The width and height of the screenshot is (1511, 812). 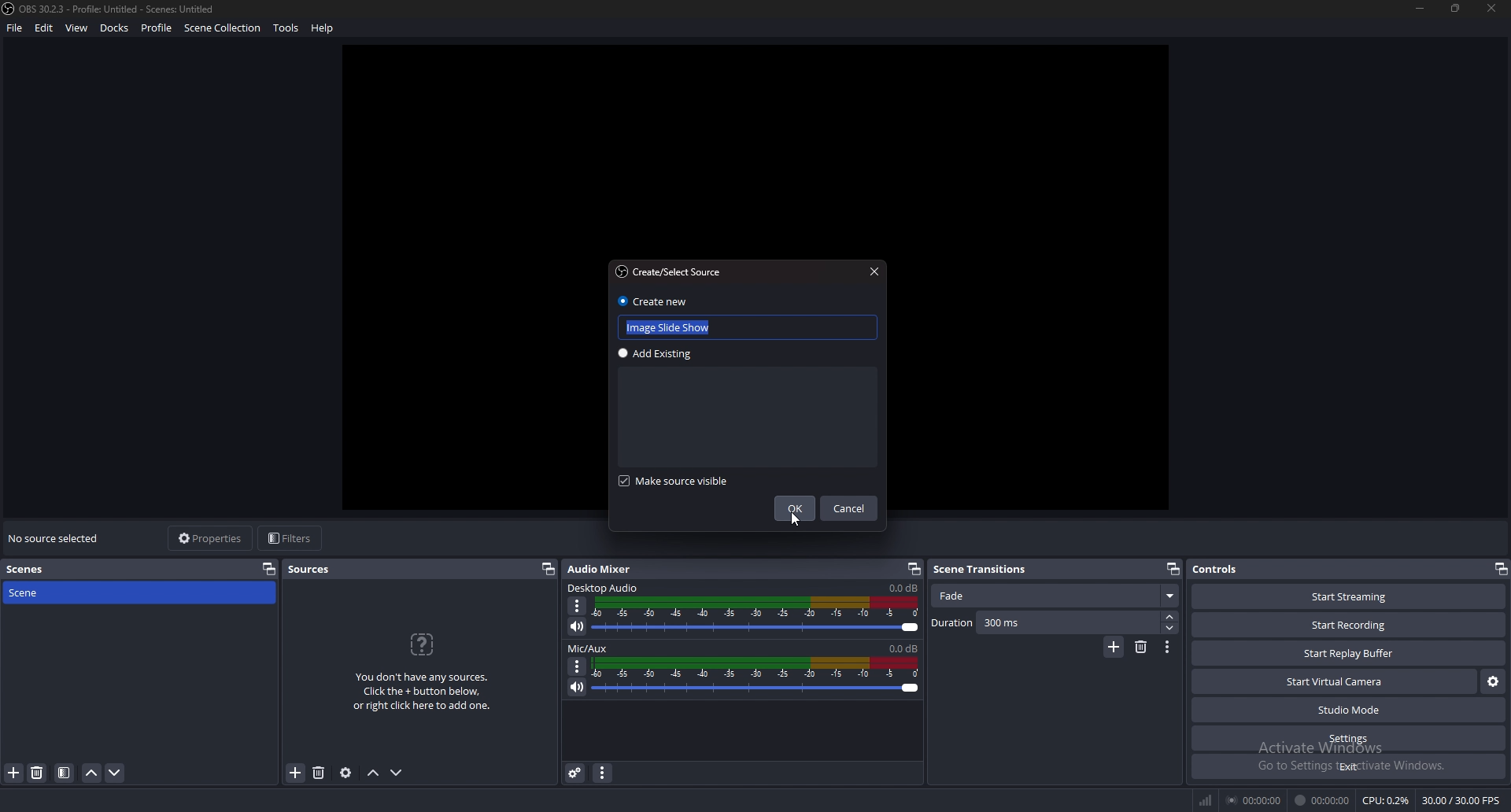 What do you see at coordinates (93, 773) in the screenshot?
I see `move scene up` at bounding box center [93, 773].